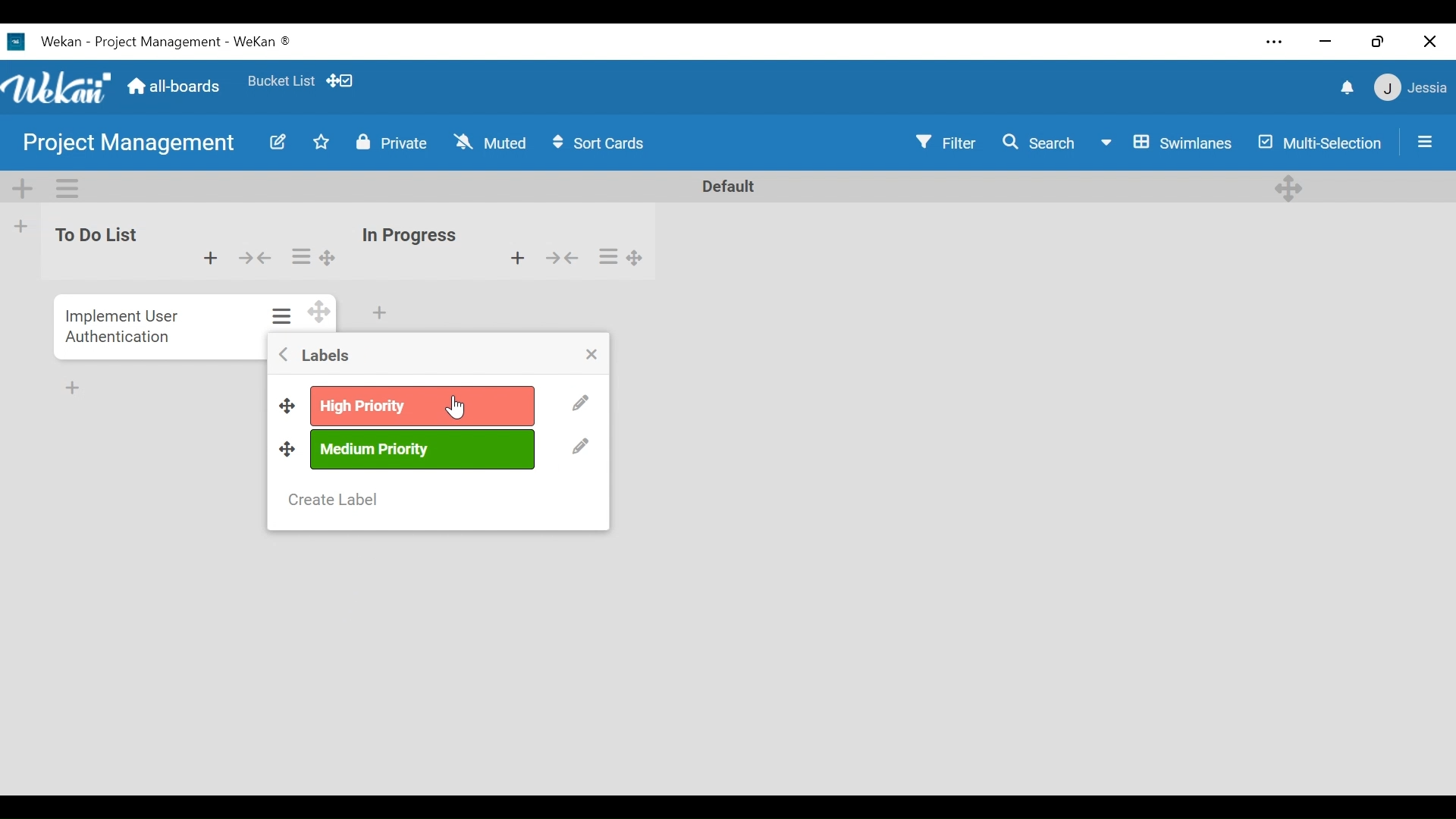  I want to click on Create Label, so click(332, 500).